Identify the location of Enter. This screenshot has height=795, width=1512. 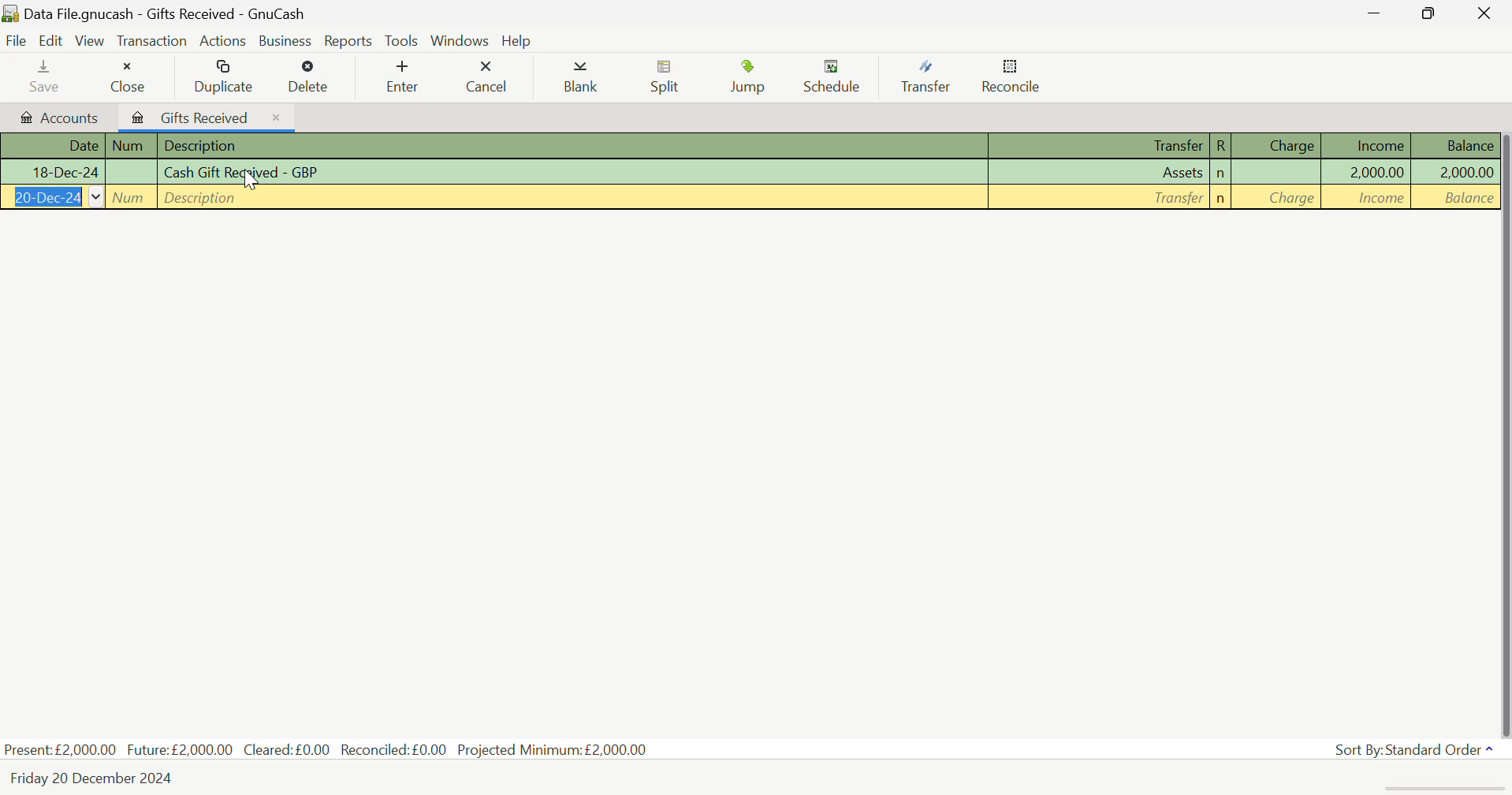
(401, 77).